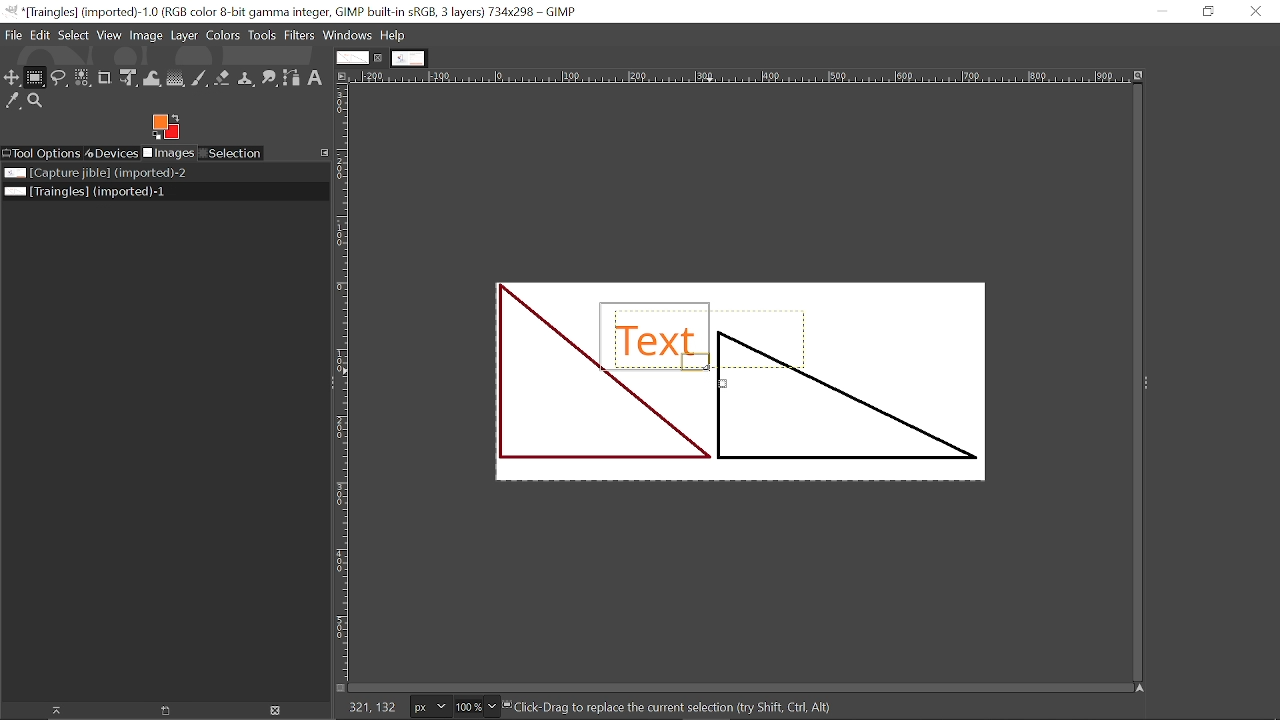  I want to click on 155,31, so click(370, 705).